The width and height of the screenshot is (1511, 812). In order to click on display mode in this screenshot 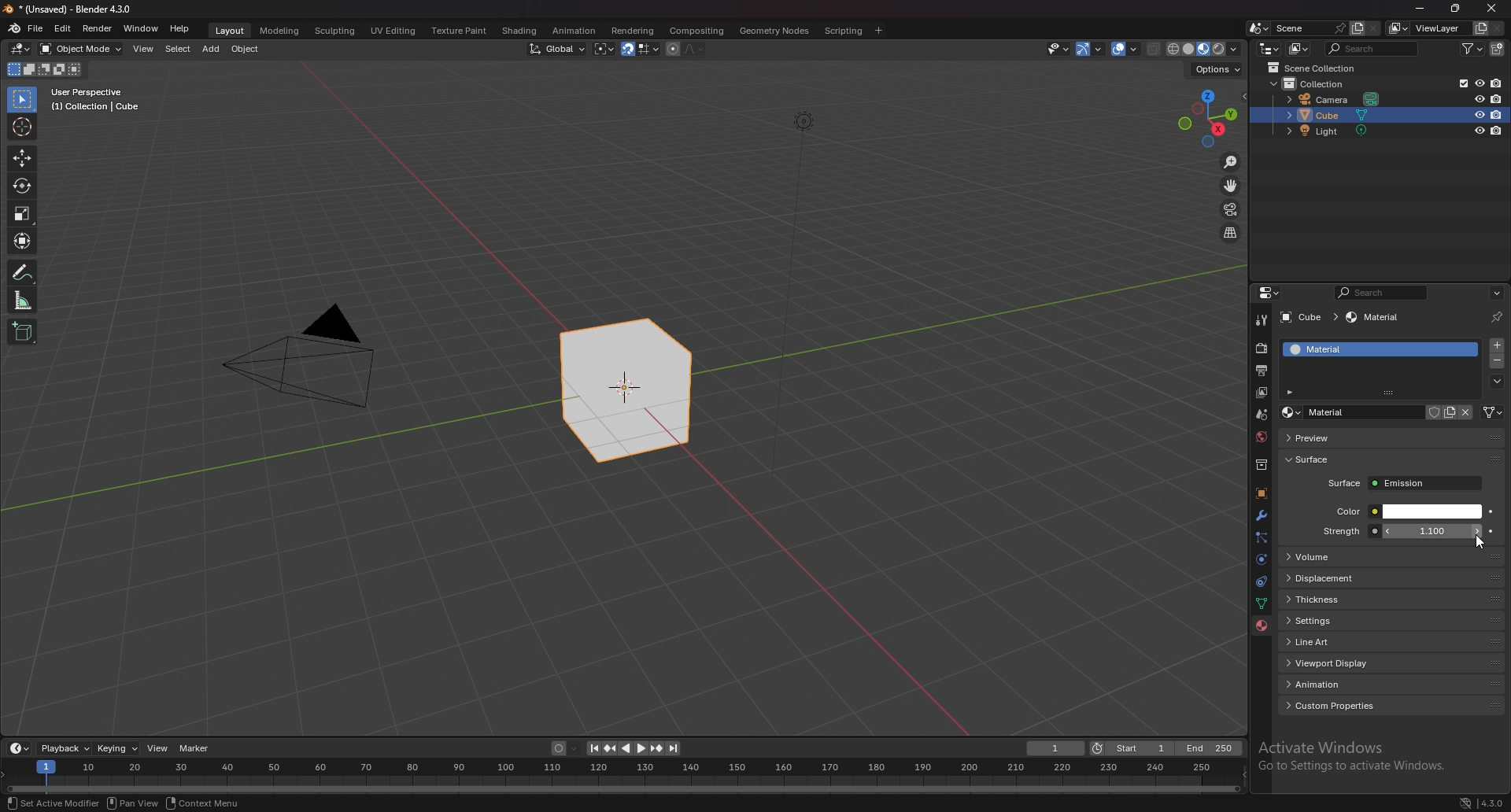, I will do `click(1300, 49)`.